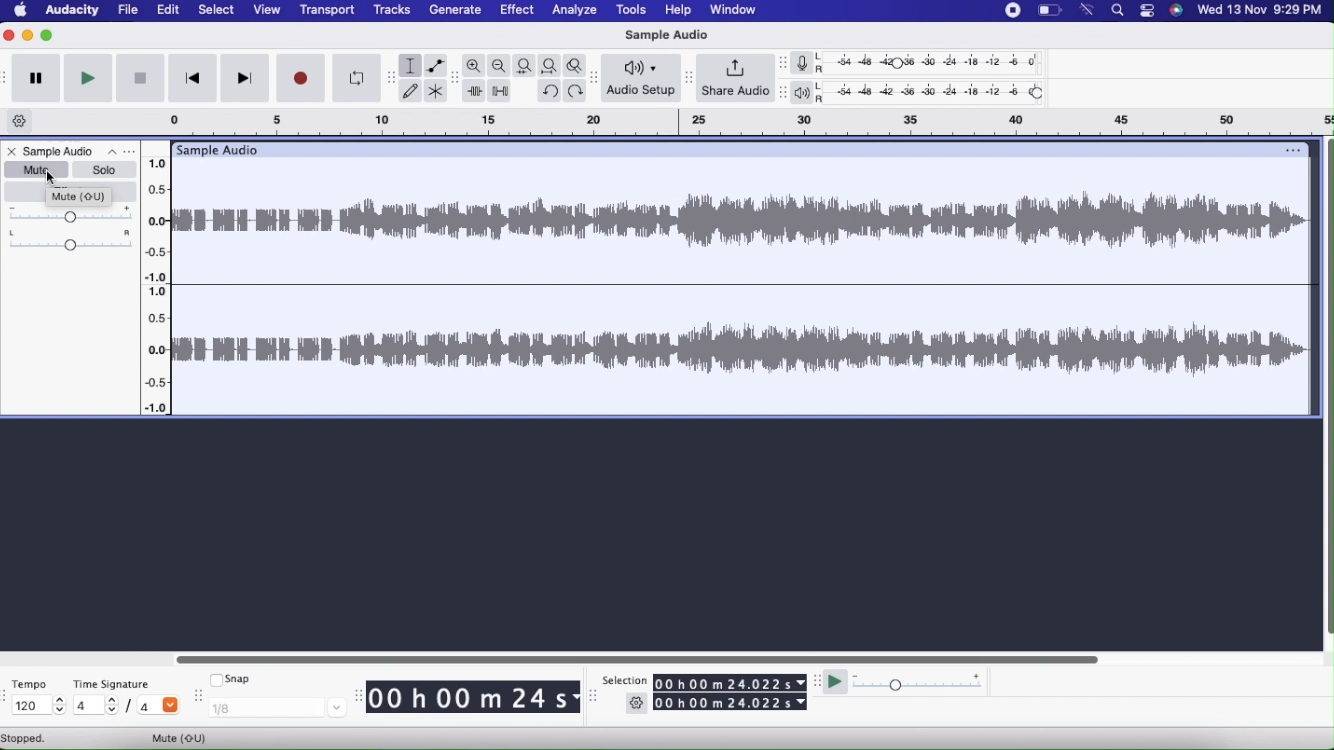  What do you see at coordinates (22, 121) in the screenshot?
I see `Timeline options` at bounding box center [22, 121].